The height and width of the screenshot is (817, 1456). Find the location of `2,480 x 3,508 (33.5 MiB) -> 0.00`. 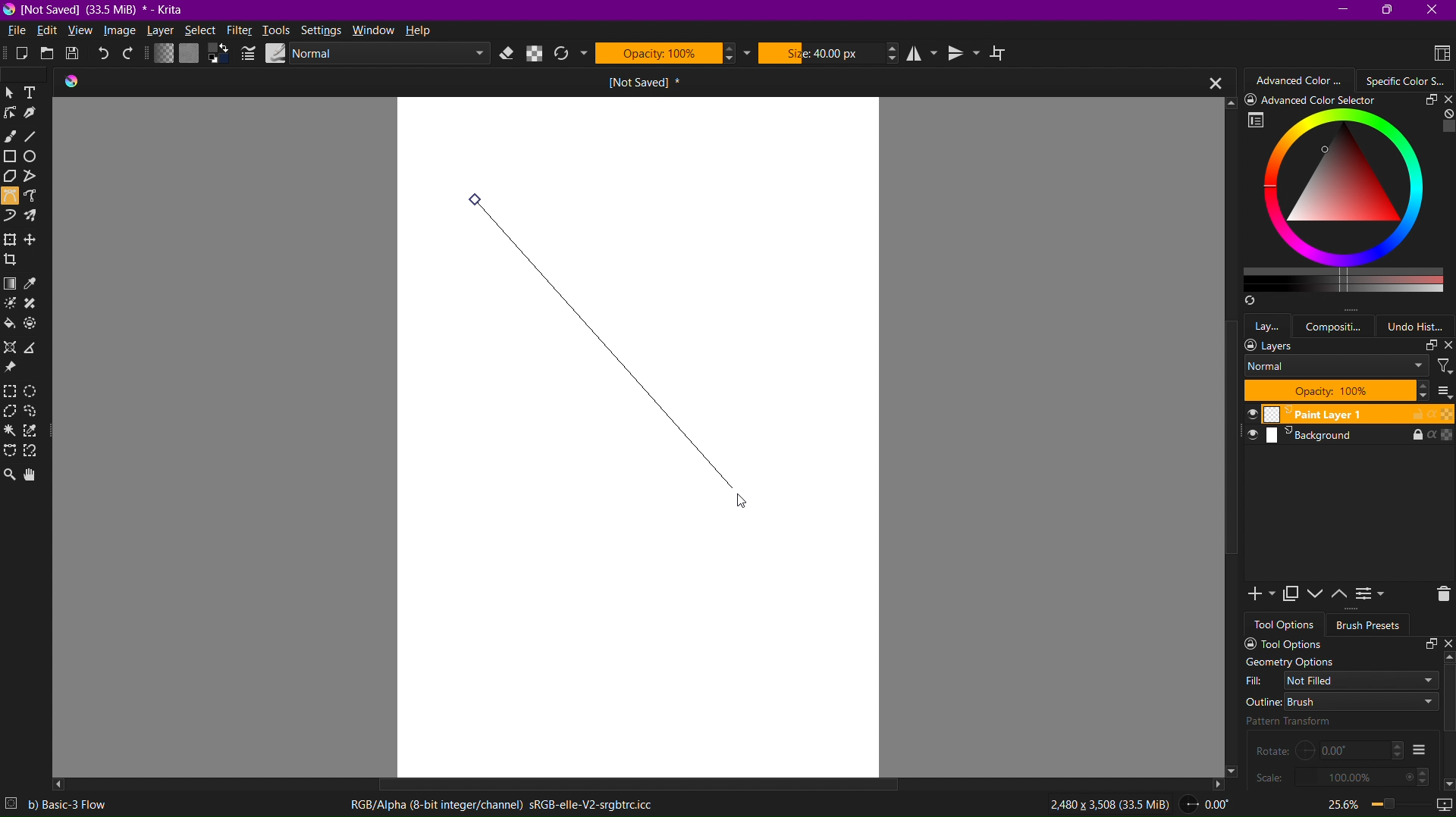

2,480 x 3,508 (33.5 MiB) -> 0.00 is located at coordinates (1133, 806).